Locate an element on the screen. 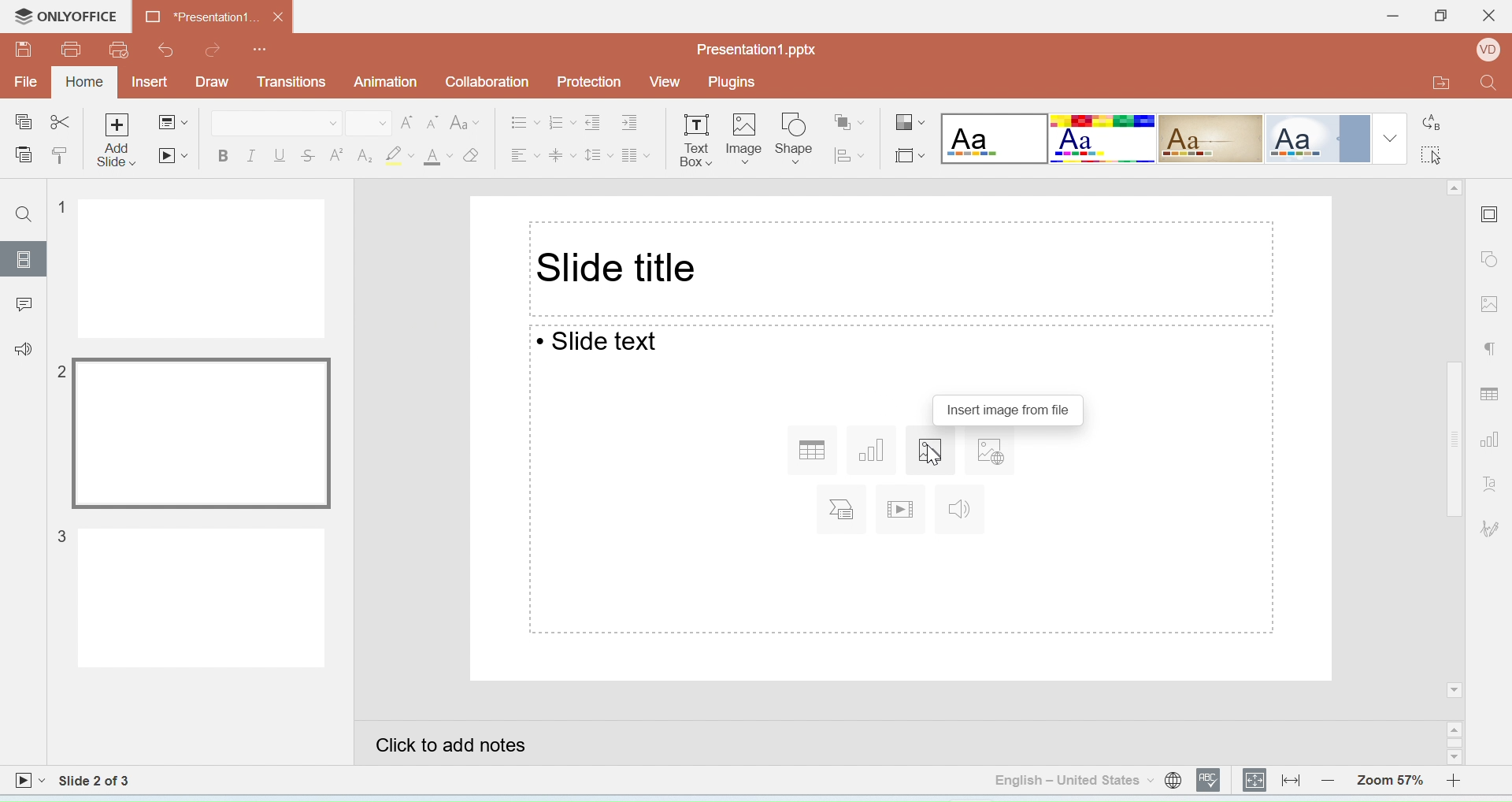 The image size is (1512, 802). Copy style is located at coordinates (60, 157).